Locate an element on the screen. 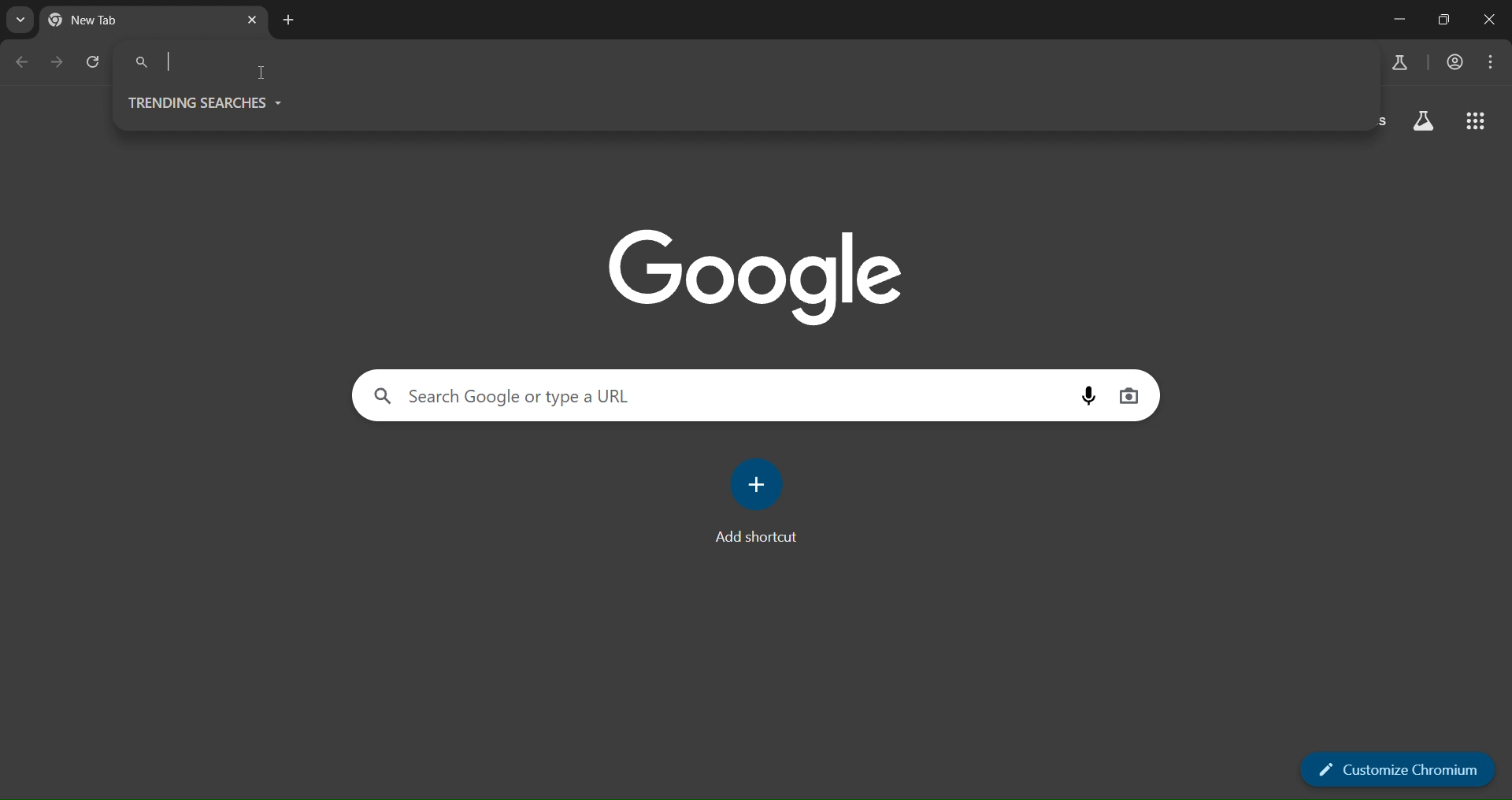 This screenshot has height=800, width=1512. go back one page is located at coordinates (60, 61).